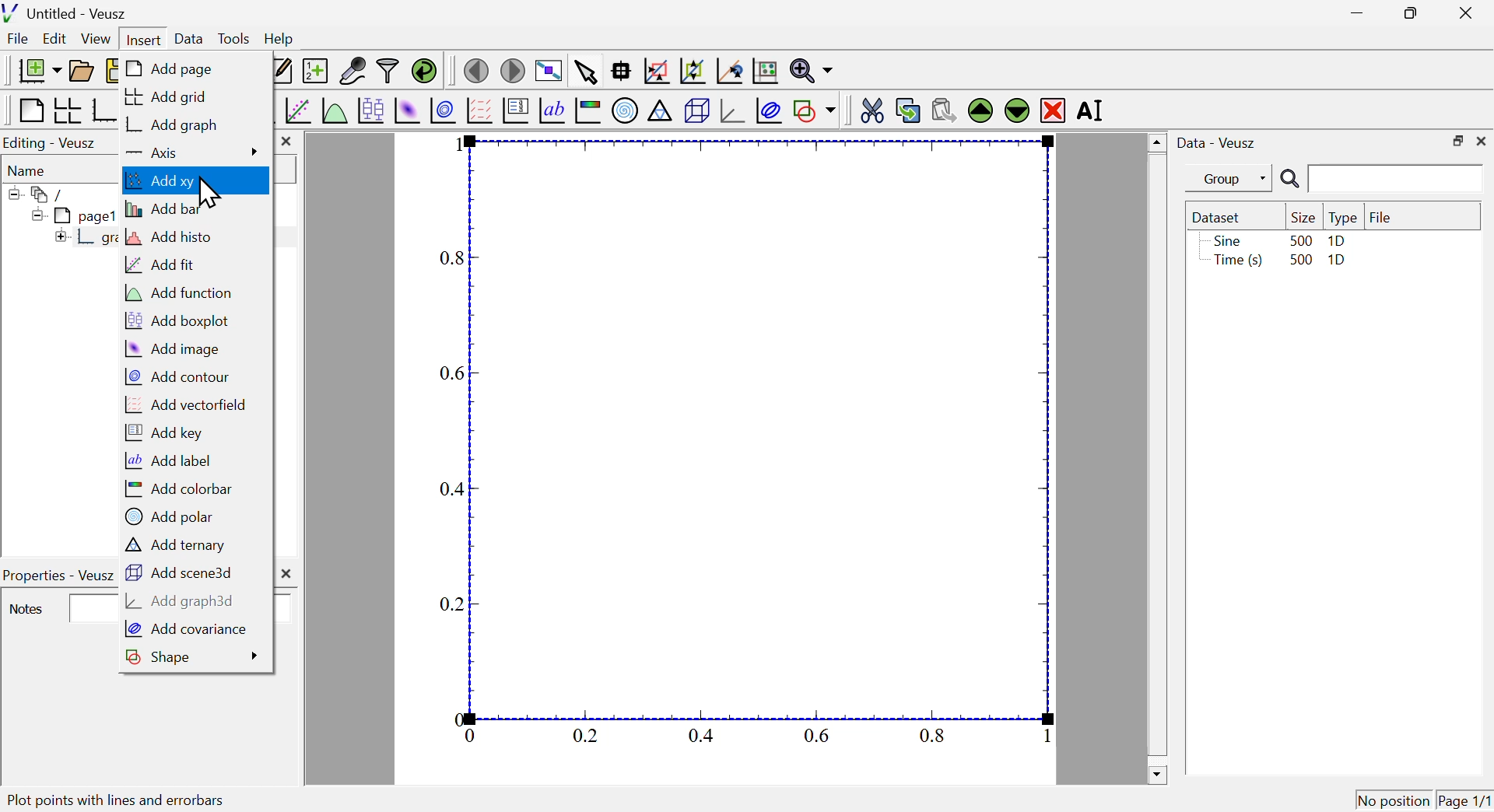  Describe the element at coordinates (1096, 111) in the screenshot. I see `rename the selected widget` at that location.